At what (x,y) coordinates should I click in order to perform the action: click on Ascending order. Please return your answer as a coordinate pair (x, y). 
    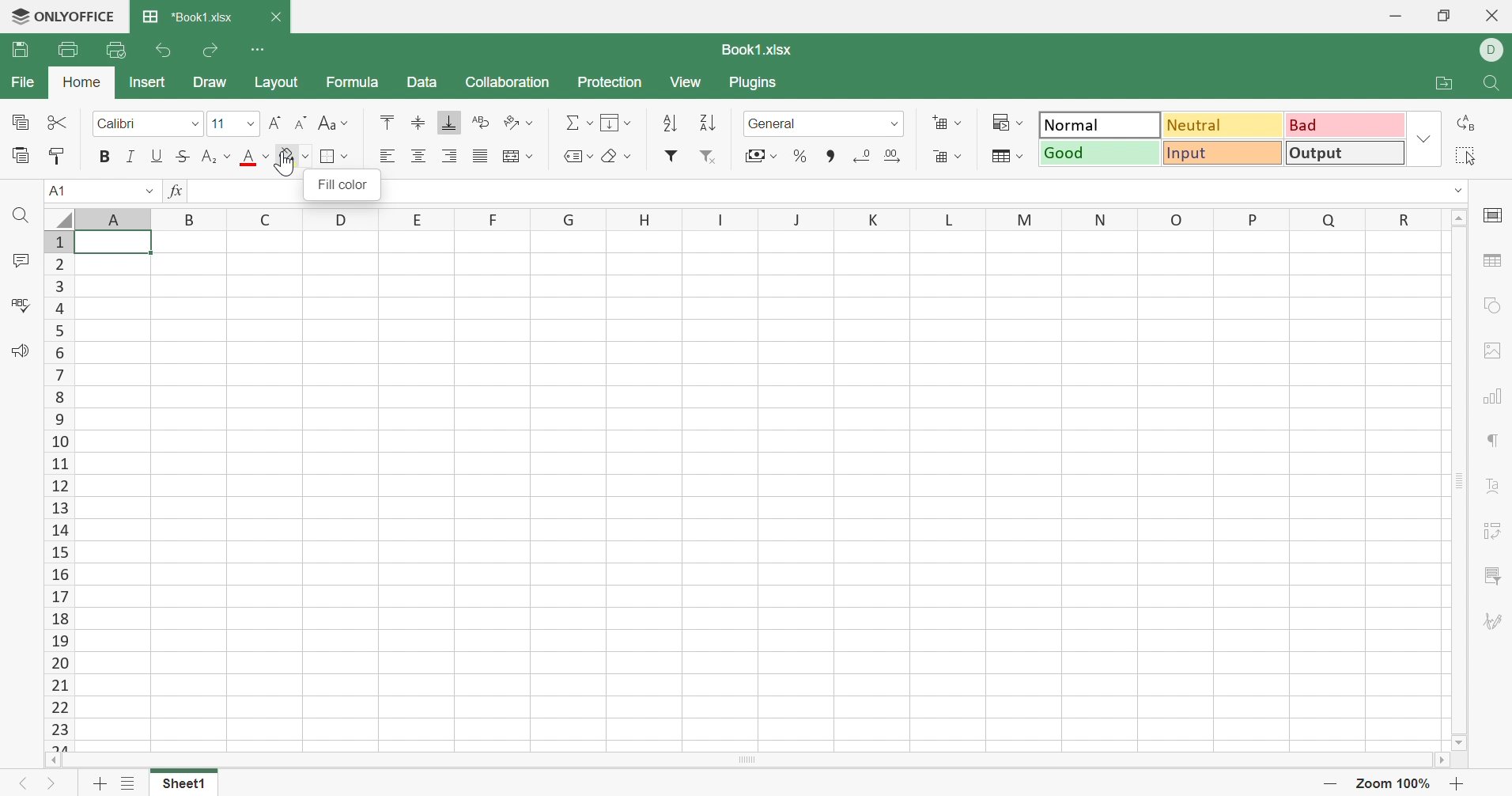
    Looking at the image, I should click on (670, 119).